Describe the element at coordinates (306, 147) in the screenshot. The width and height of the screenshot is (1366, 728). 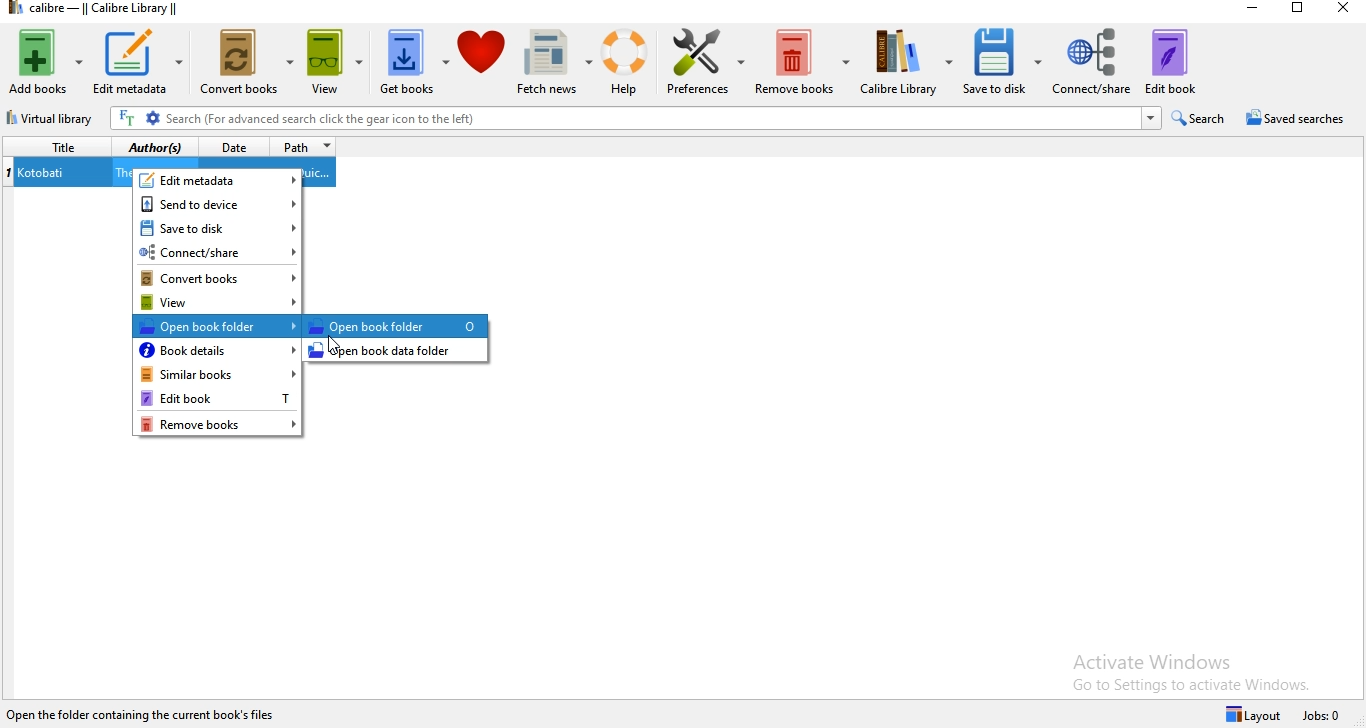
I see `path` at that location.